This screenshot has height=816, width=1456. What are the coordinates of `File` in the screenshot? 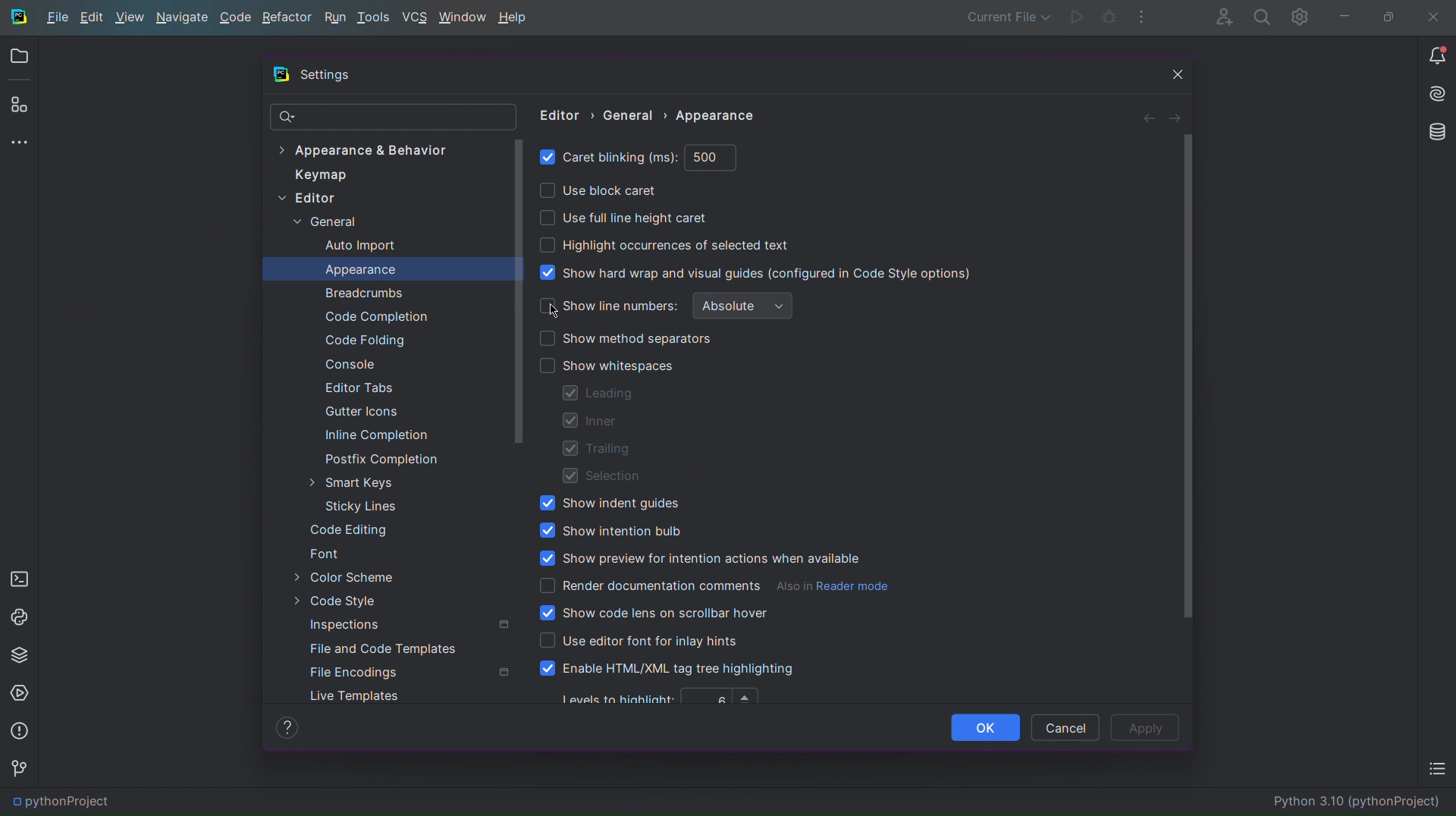 It's located at (56, 18).